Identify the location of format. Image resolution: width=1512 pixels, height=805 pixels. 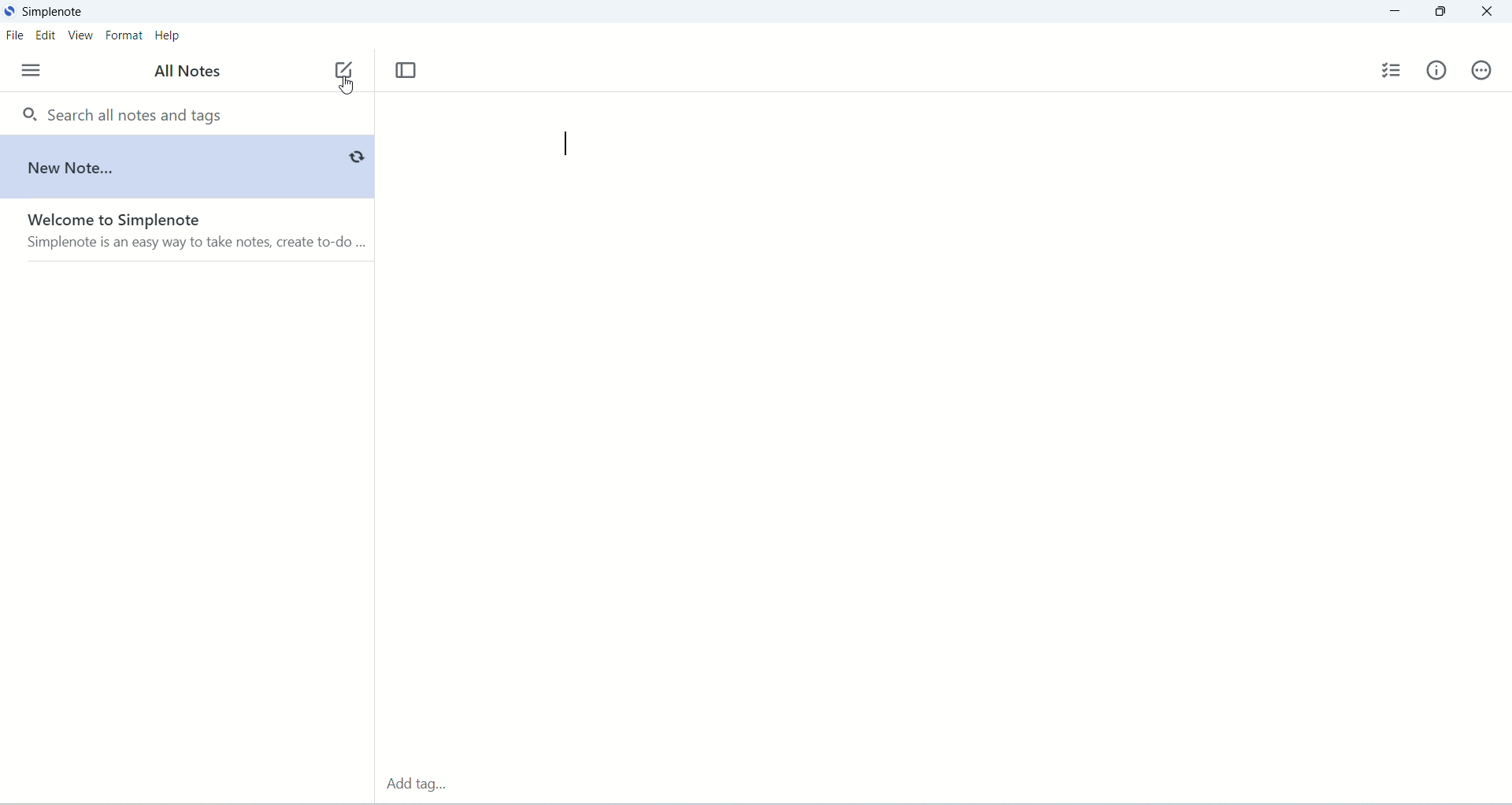
(122, 35).